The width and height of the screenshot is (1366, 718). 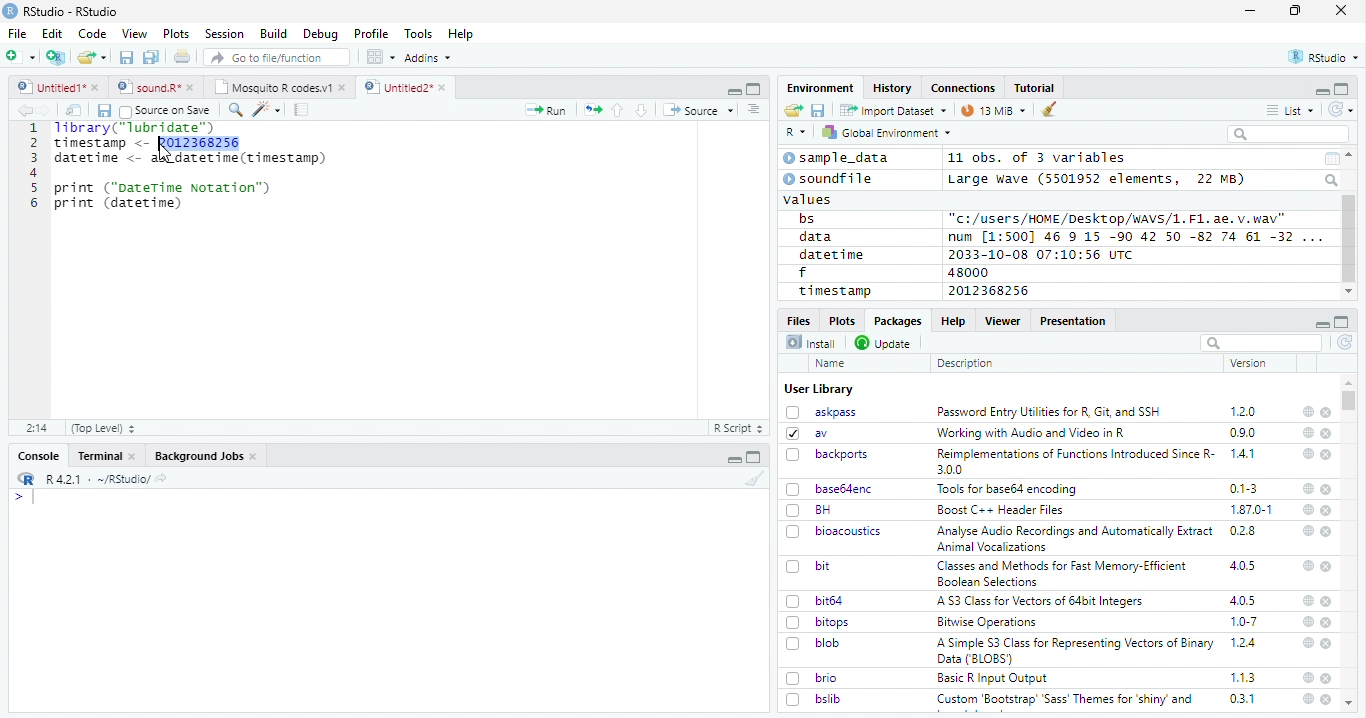 I want to click on Environment, so click(x=821, y=87).